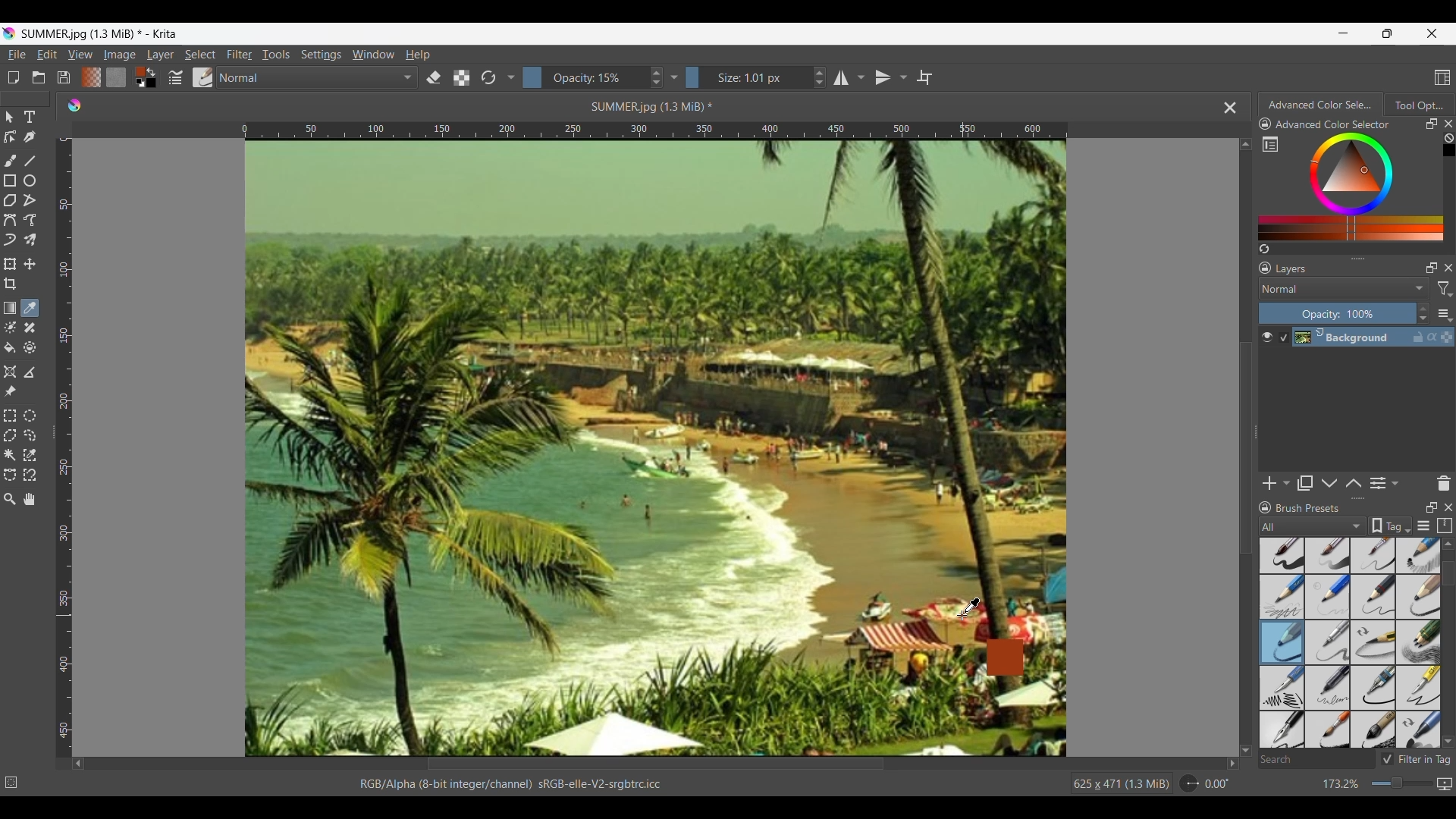 This screenshot has height=819, width=1456. I want to click on Preview of selected color, so click(1005, 658).